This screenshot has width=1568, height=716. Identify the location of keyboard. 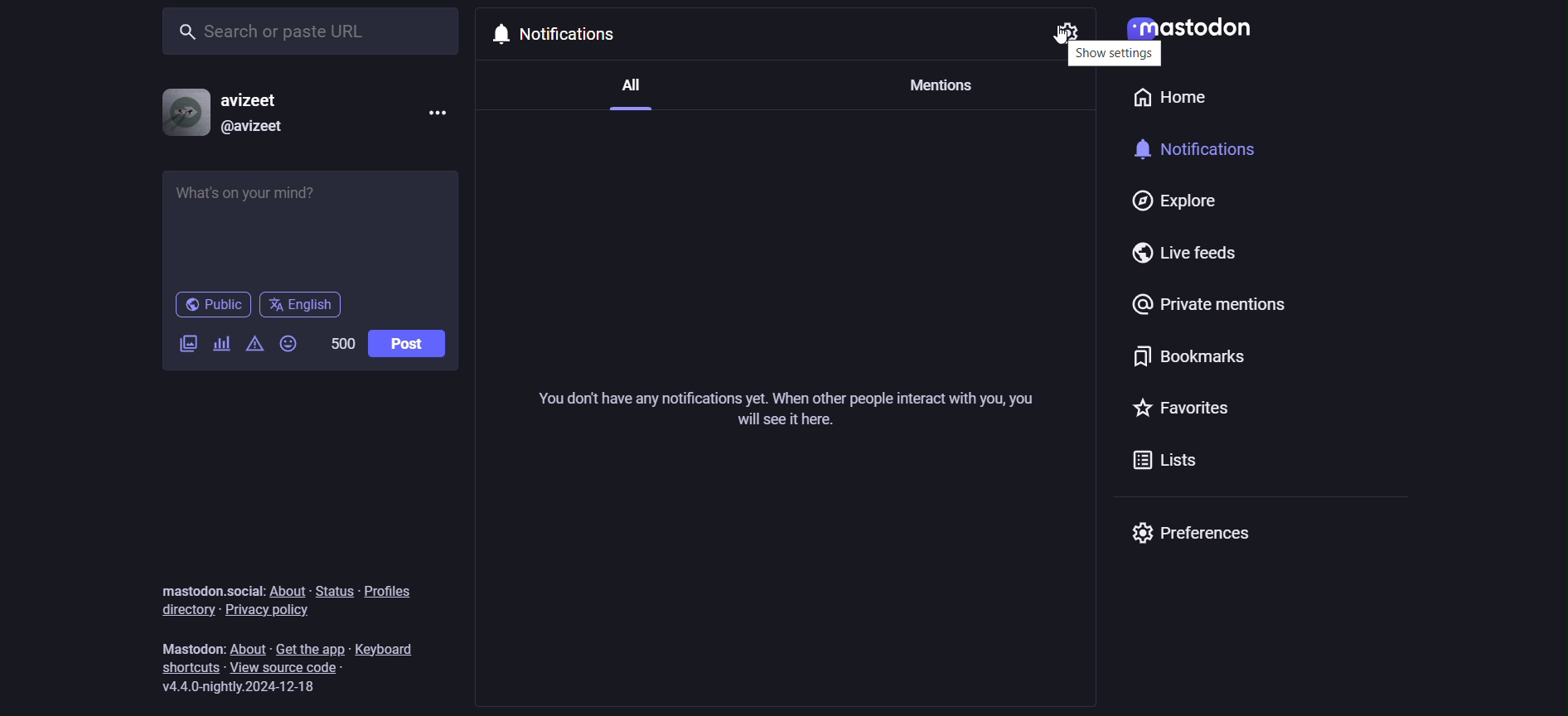
(394, 645).